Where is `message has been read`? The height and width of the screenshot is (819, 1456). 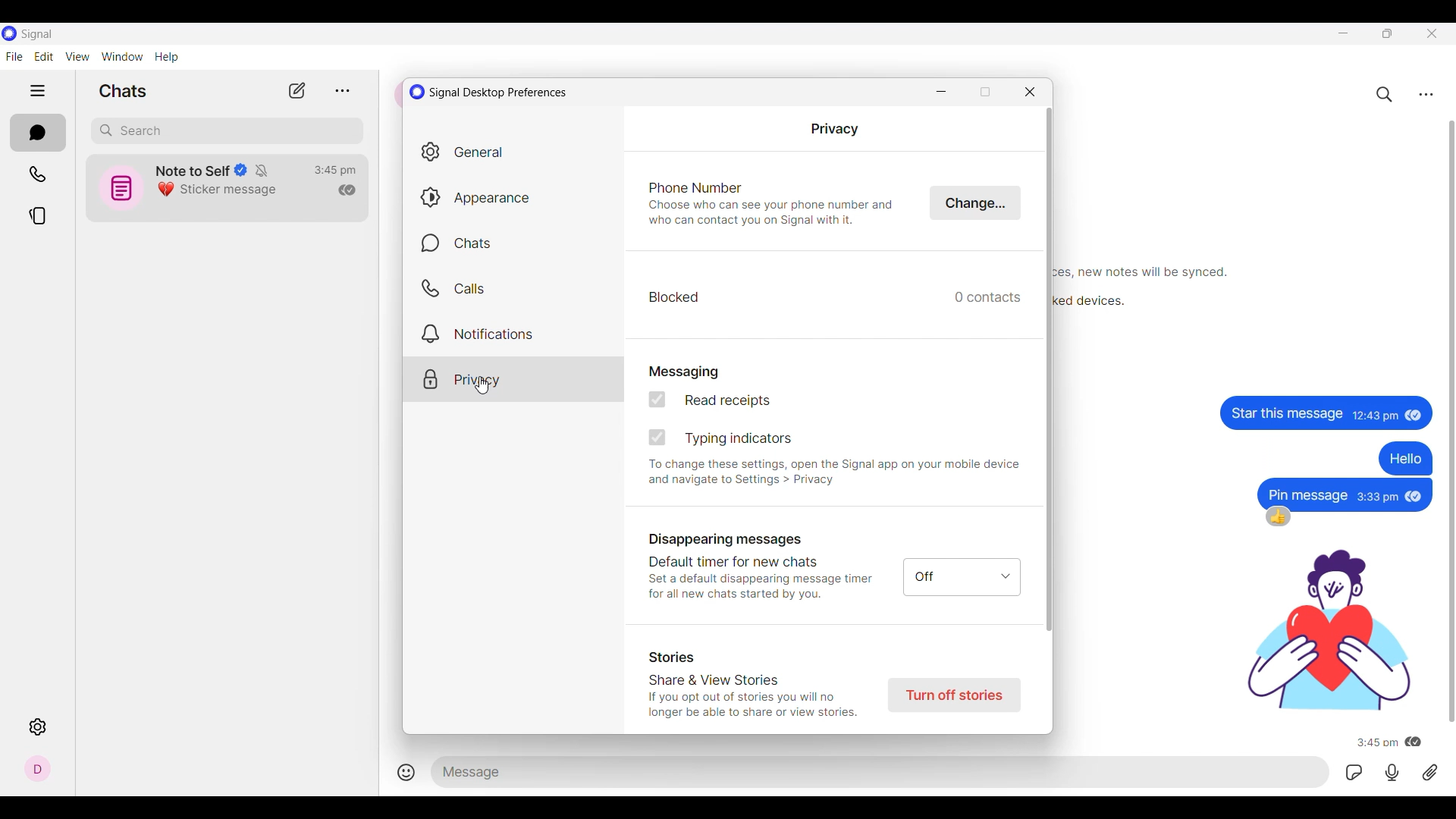
message has been read is located at coordinates (1414, 740).